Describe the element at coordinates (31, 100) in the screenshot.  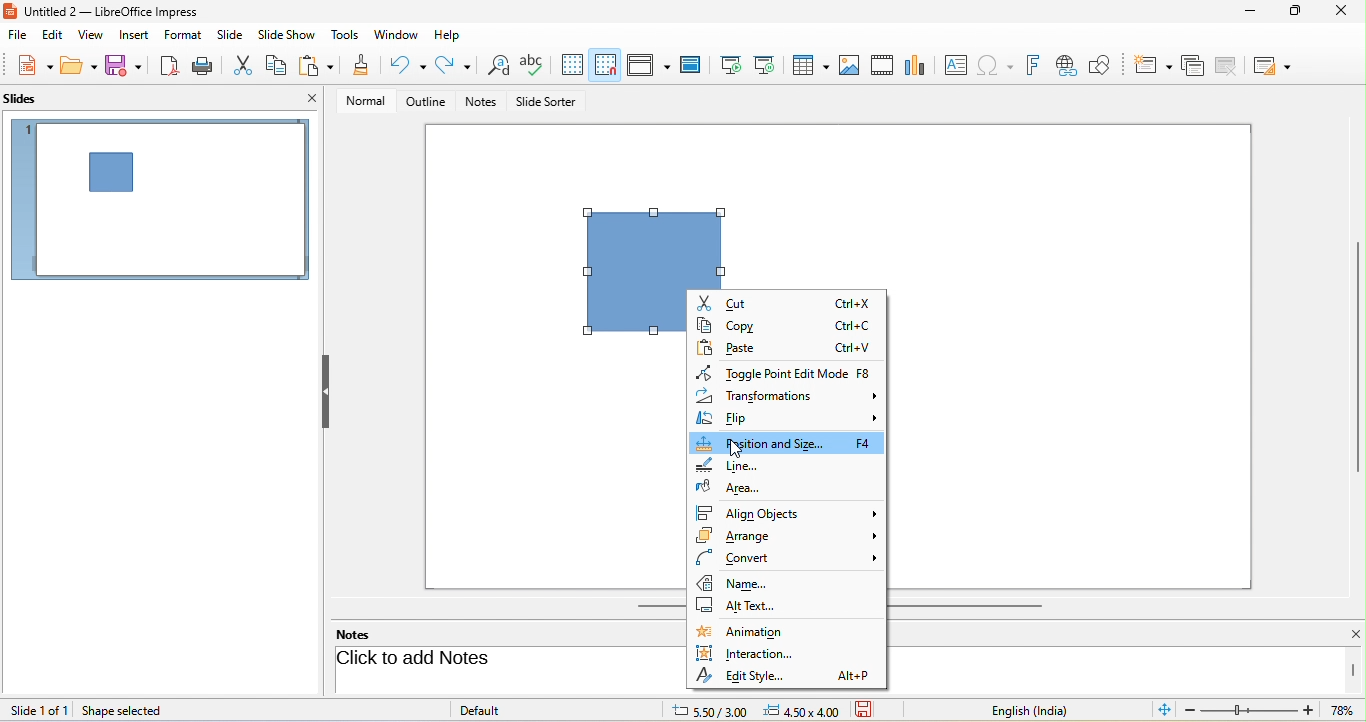
I see `slides` at that location.